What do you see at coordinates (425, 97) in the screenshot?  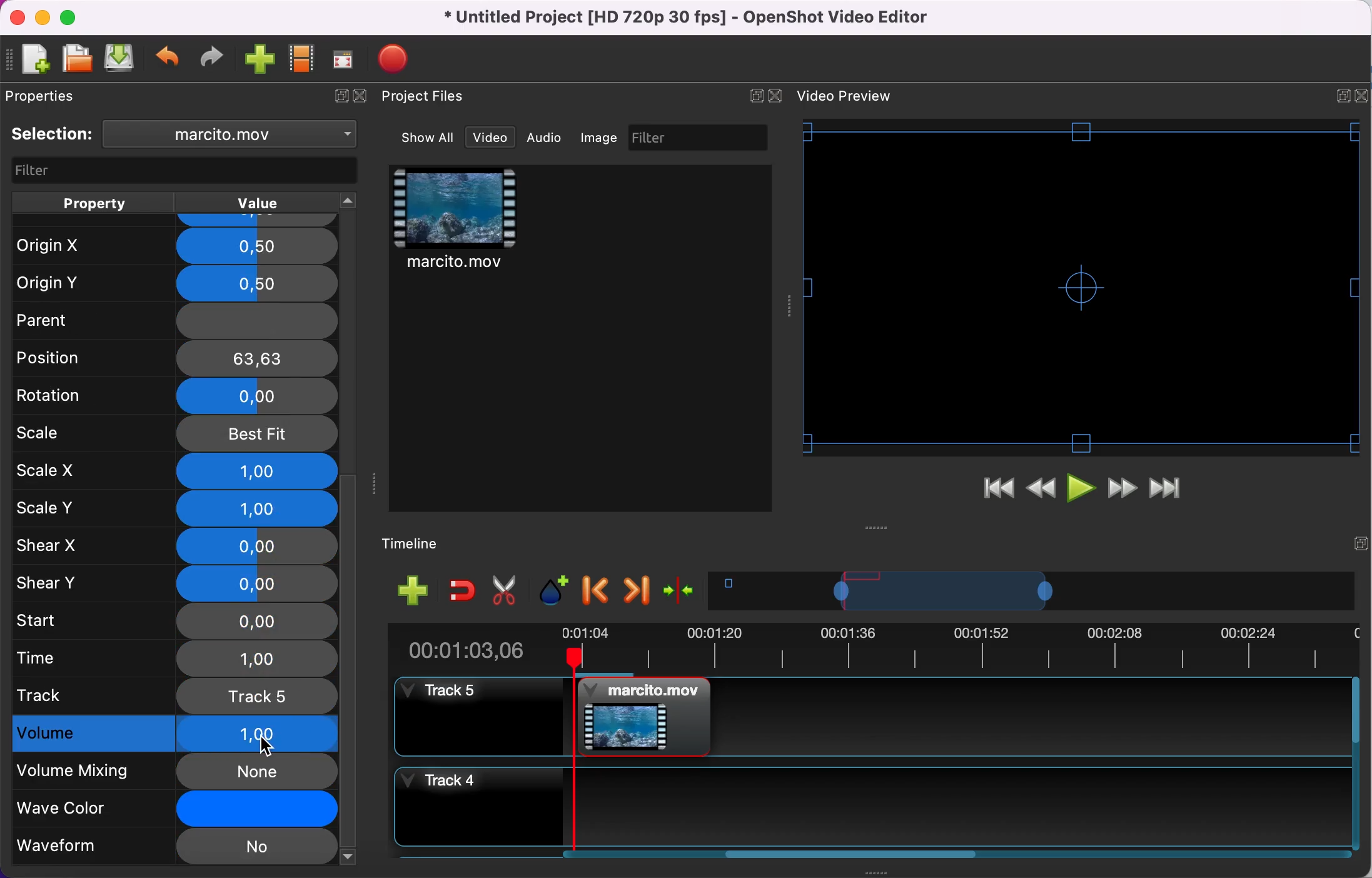 I see `project files` at bounding box center [425, 97].